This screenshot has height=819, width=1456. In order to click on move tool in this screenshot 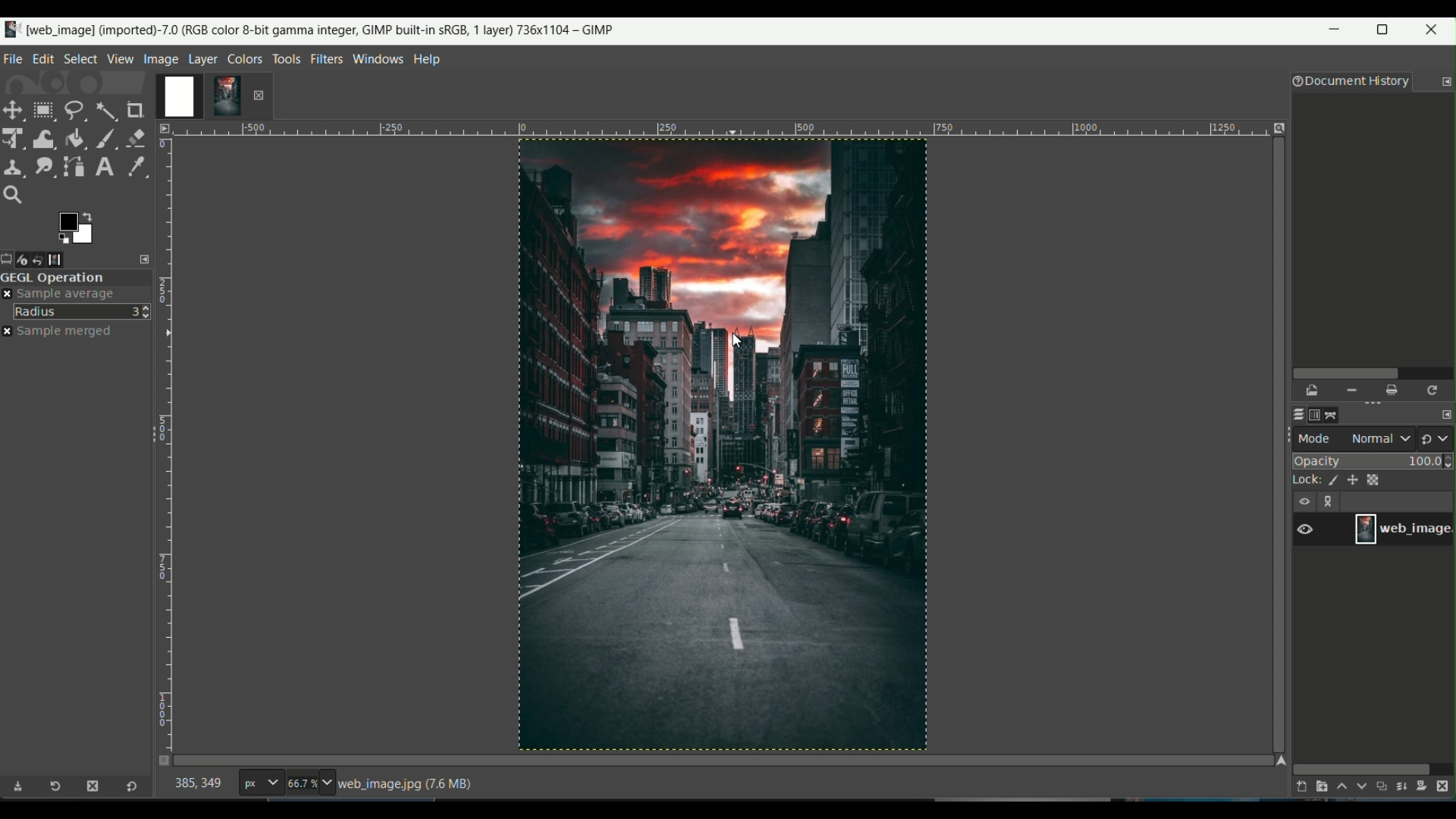, I will do `click(14, 110)`.